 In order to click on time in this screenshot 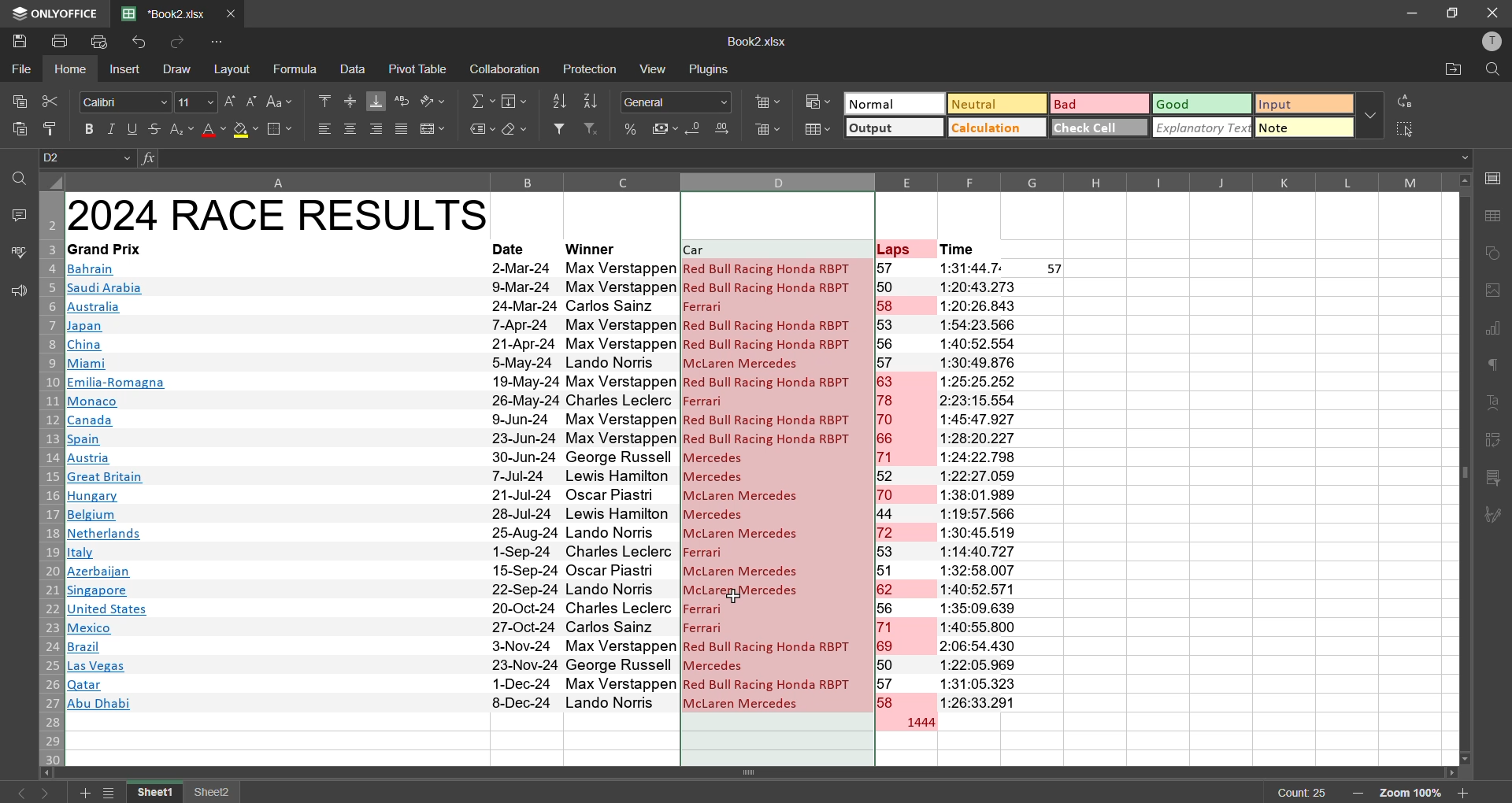, I will do `click(982, 485)`.